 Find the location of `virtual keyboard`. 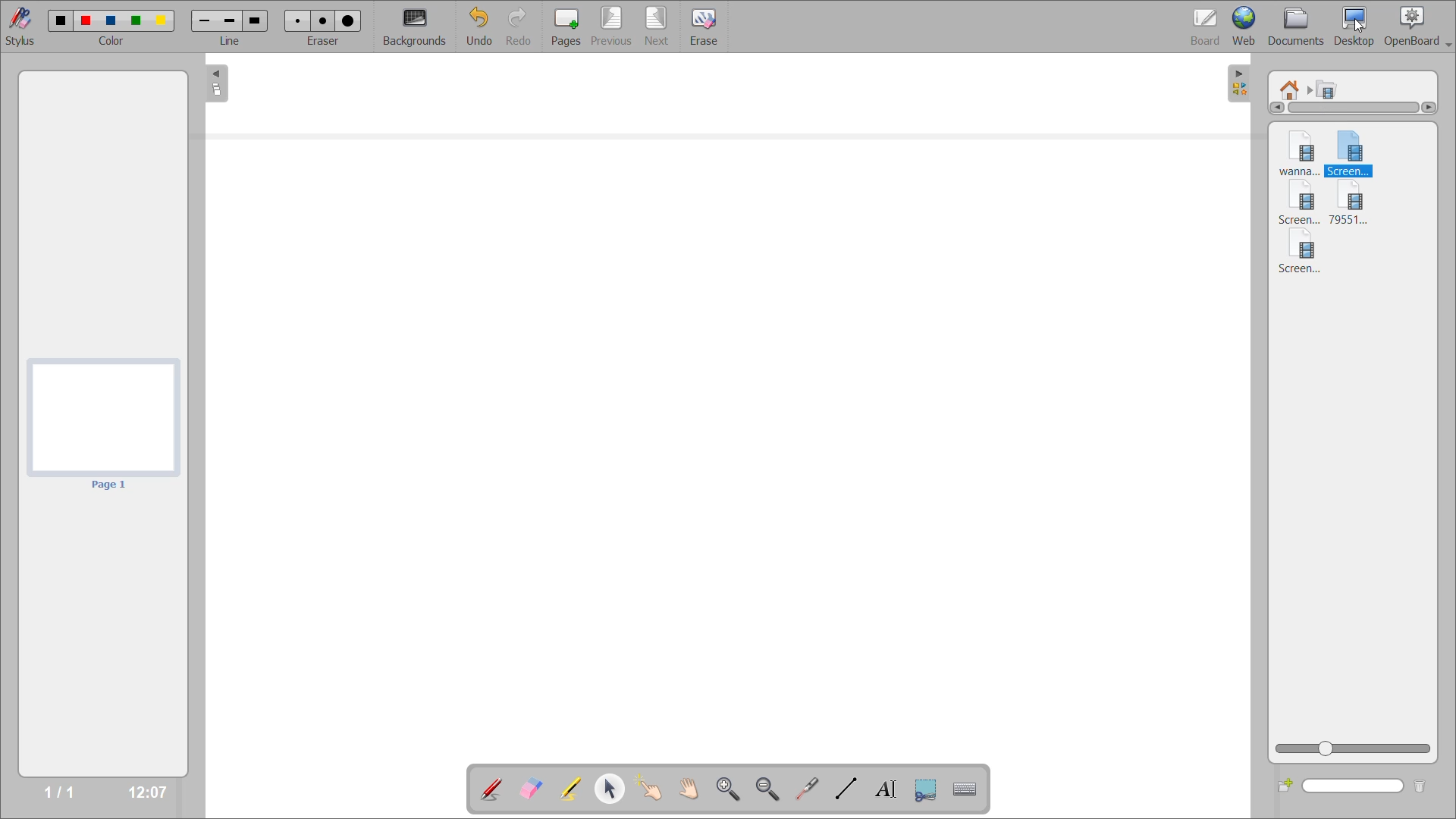

virtual keyboard is located at coordinates (971, 791).